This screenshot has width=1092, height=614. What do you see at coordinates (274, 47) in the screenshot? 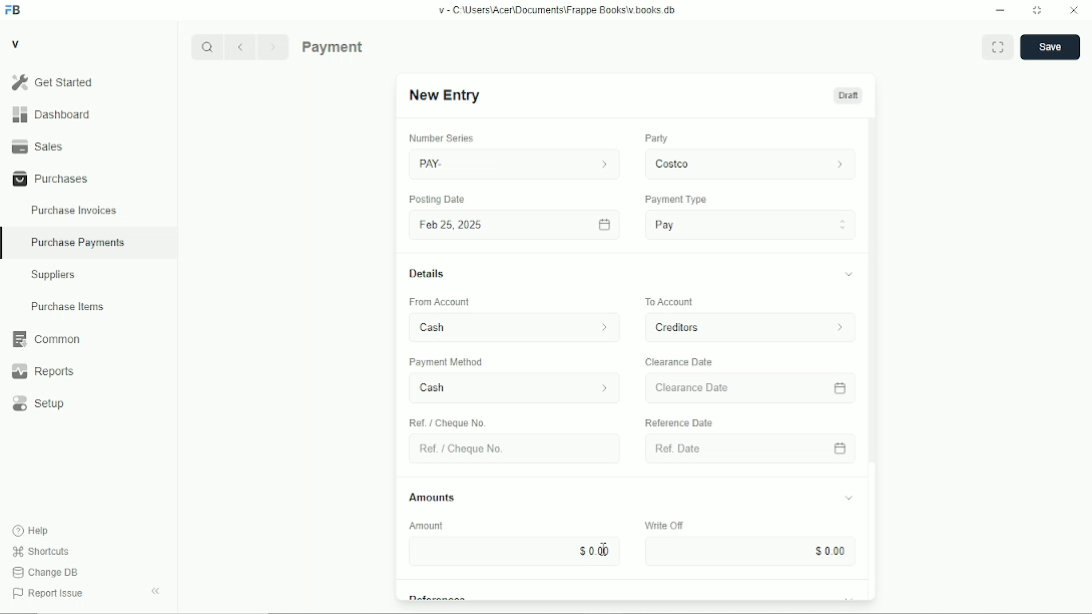
I see `Next` at bounding box center [274, 47].